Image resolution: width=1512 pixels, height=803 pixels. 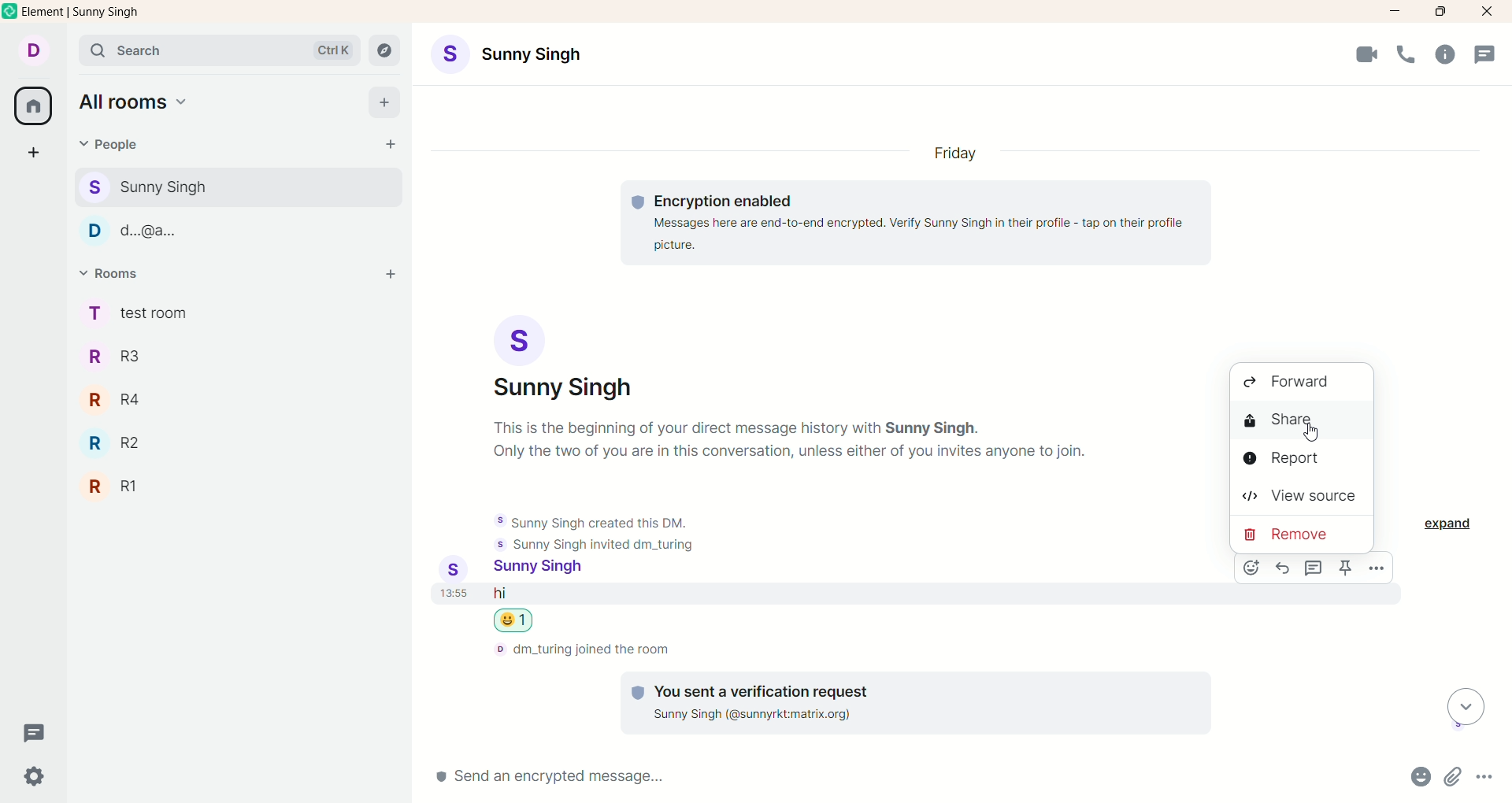 What do you see at coordinates (118, 404) in the screenshot?
I see `R4` at bounding box center [118, 404].